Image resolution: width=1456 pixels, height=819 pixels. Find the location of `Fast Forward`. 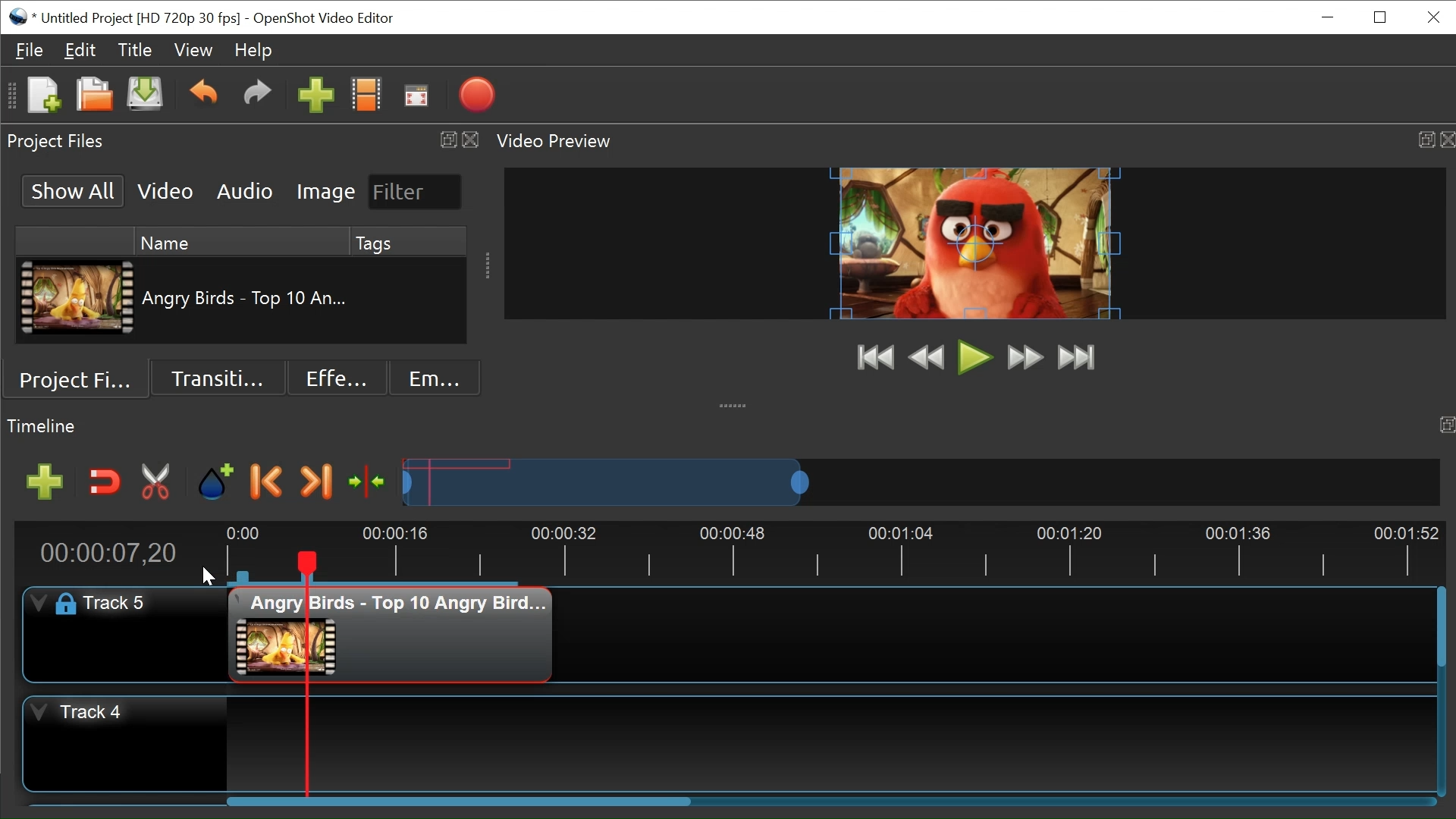

Fast Forward is located at coordinates (1025, 357).